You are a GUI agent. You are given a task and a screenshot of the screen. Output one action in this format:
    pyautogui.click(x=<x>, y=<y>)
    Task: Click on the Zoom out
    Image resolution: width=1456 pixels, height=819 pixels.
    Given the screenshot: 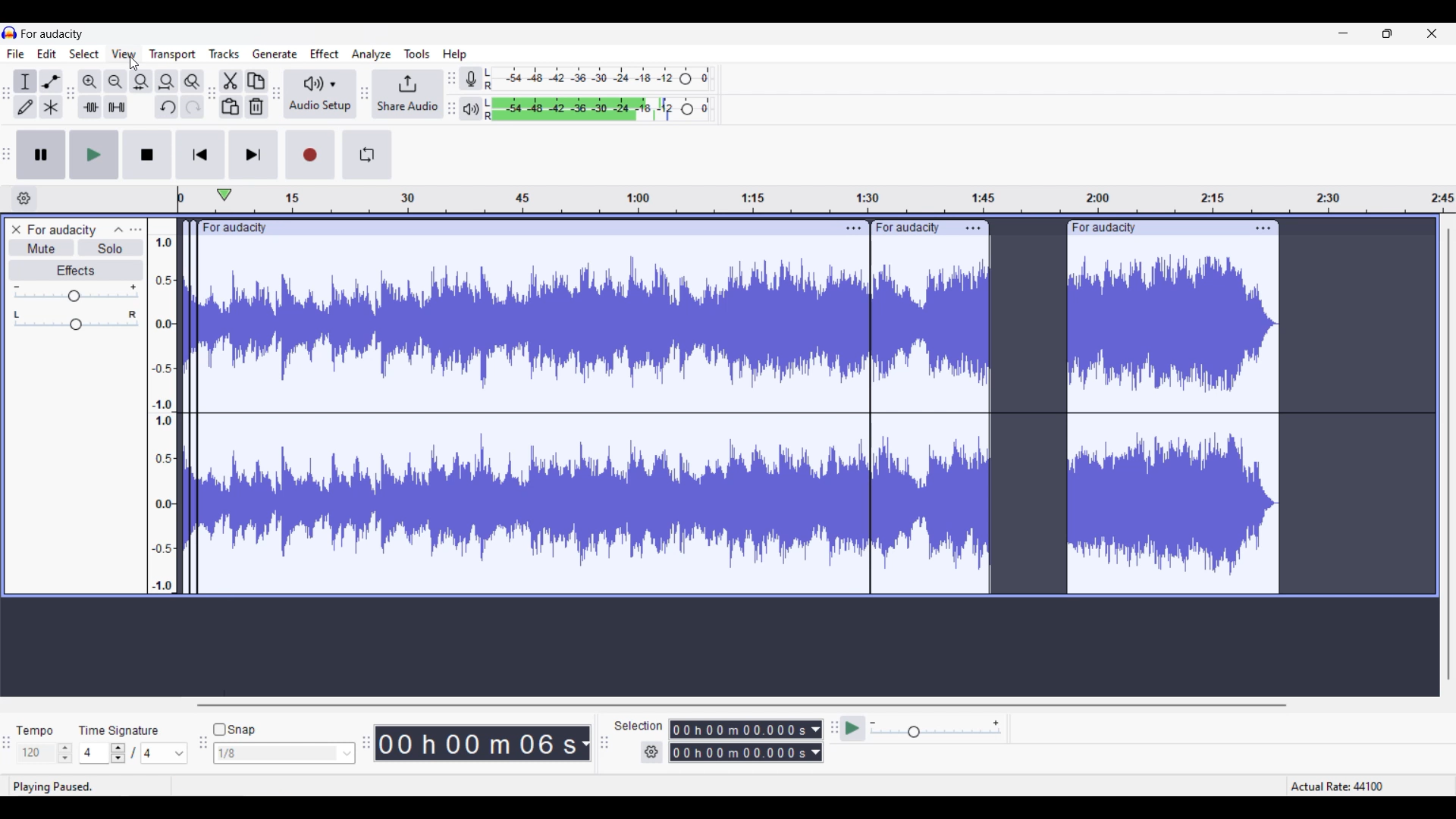 What is the action you would take?
    pyautogui.click(x=115, y=82)
    